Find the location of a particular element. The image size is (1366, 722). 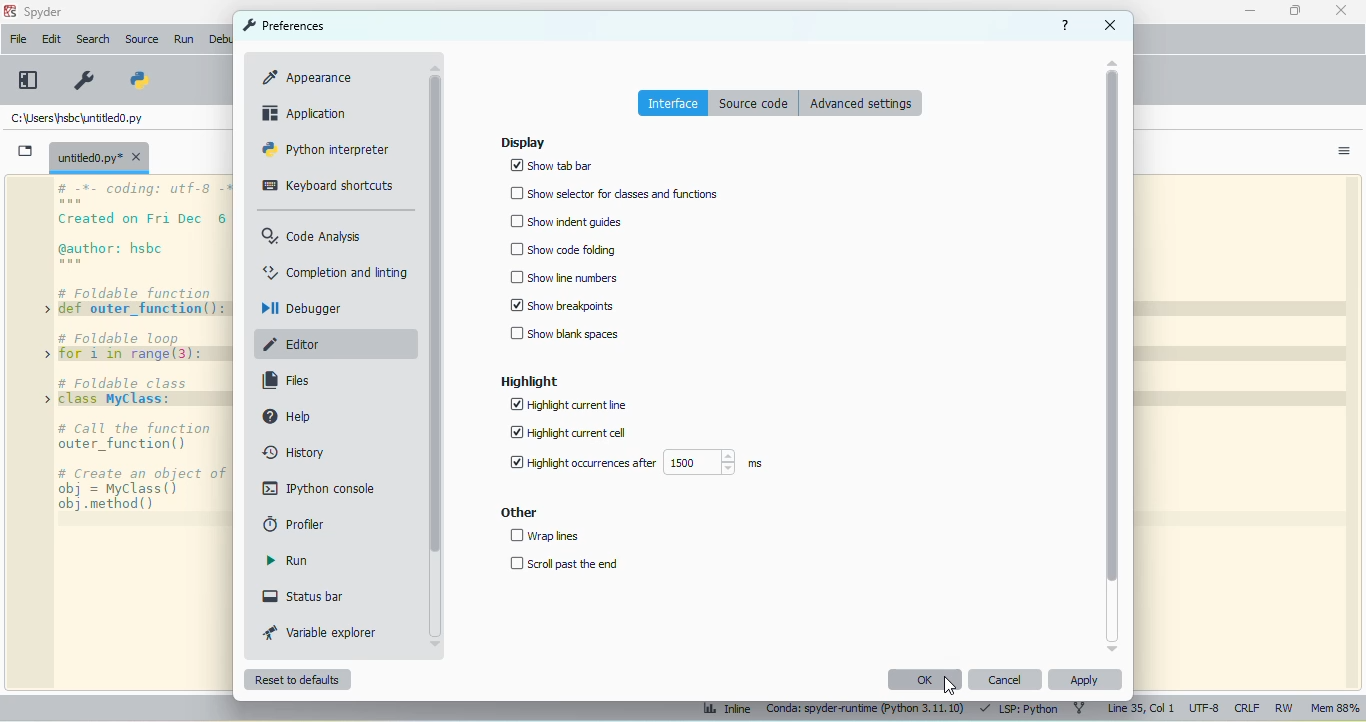

debugger is located at coordinates (301, 308).